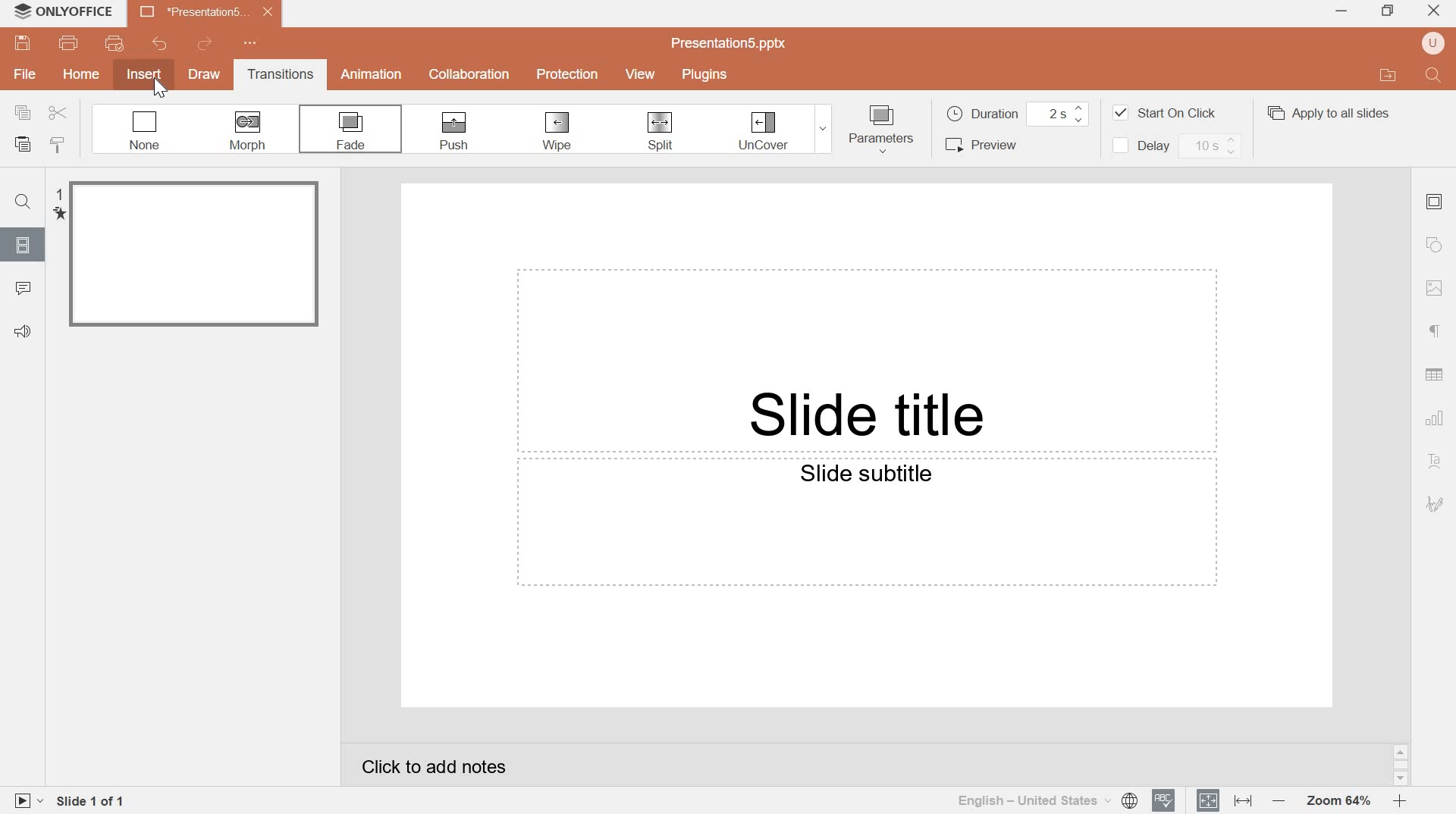 This screenshot has height=814, width=1456. I want to click on cursor, so click(162, 90).